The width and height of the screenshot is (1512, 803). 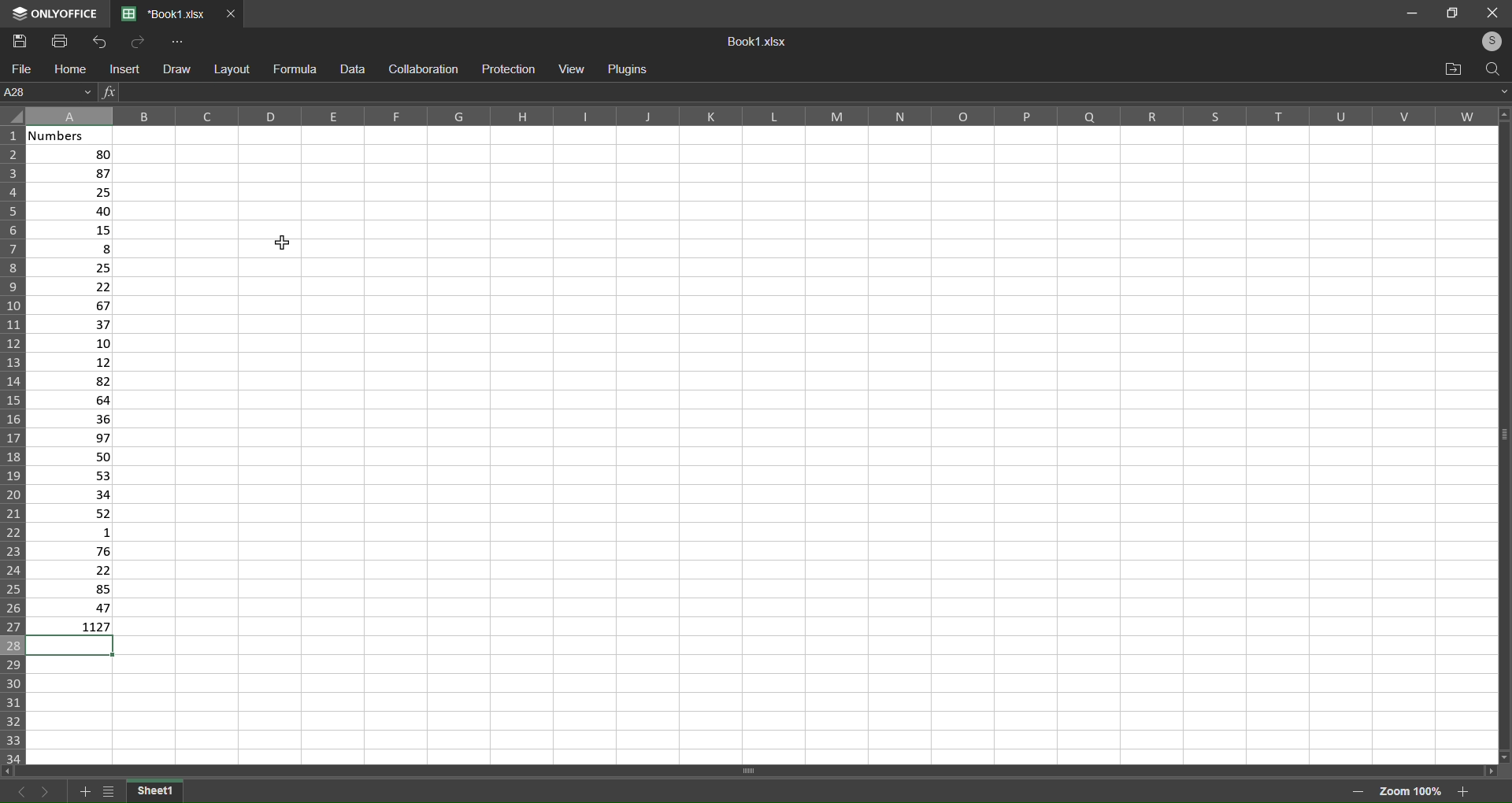 I want to click on Logo, so click(x=56, y=14).